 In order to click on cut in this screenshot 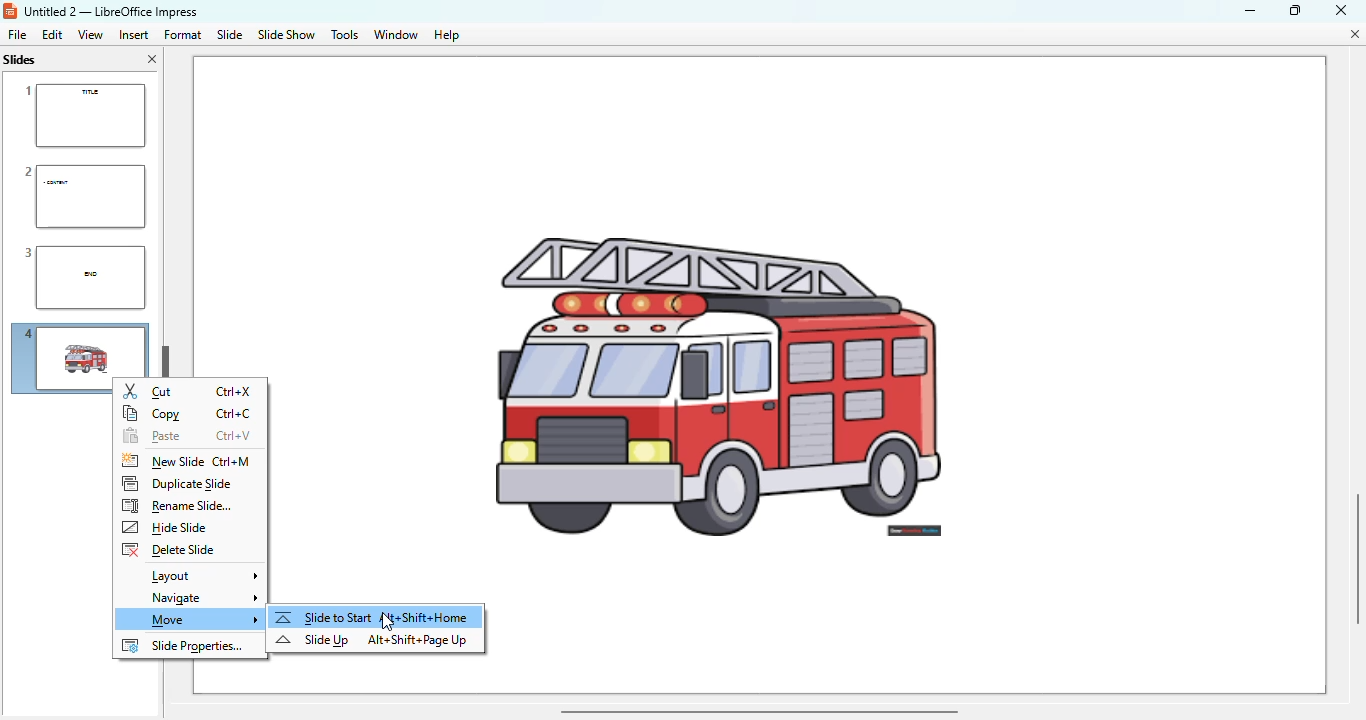, I will do `click(149, 391)`.